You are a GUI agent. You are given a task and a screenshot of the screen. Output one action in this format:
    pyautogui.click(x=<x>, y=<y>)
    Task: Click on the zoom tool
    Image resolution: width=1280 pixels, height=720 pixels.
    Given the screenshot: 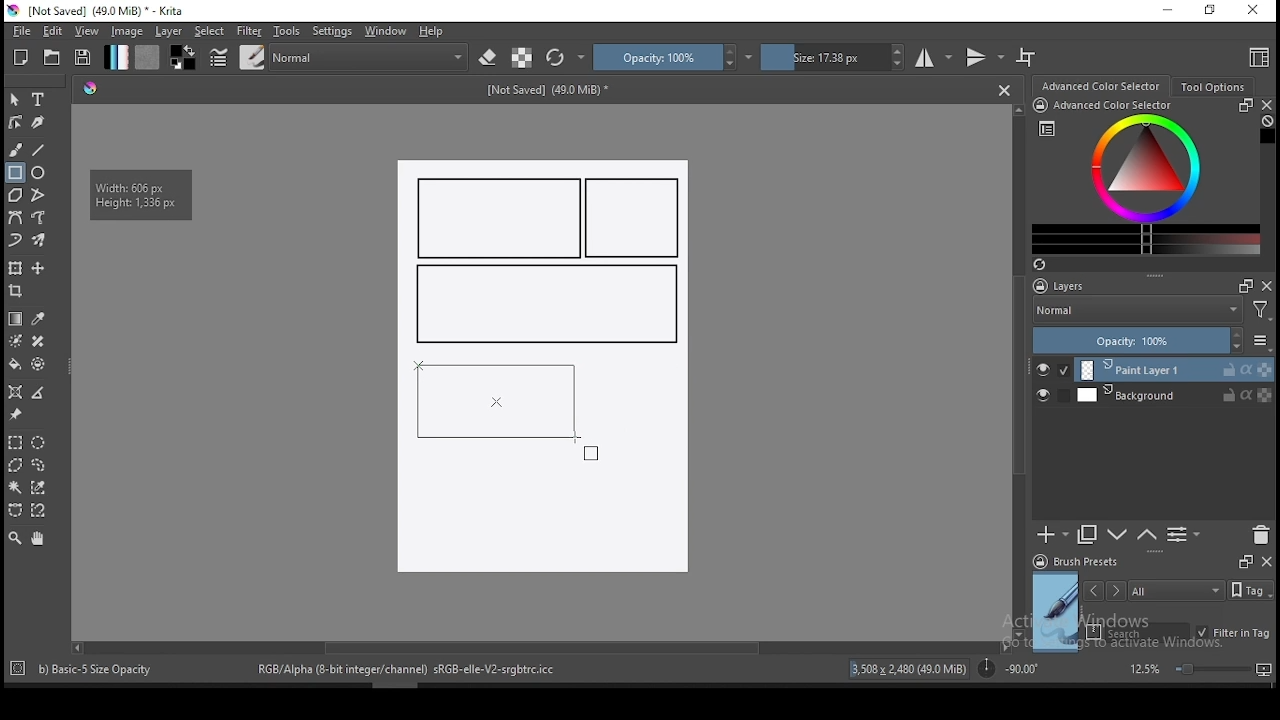 What is the action you would take?
    pyautogui.click(x=15, y=537)
    